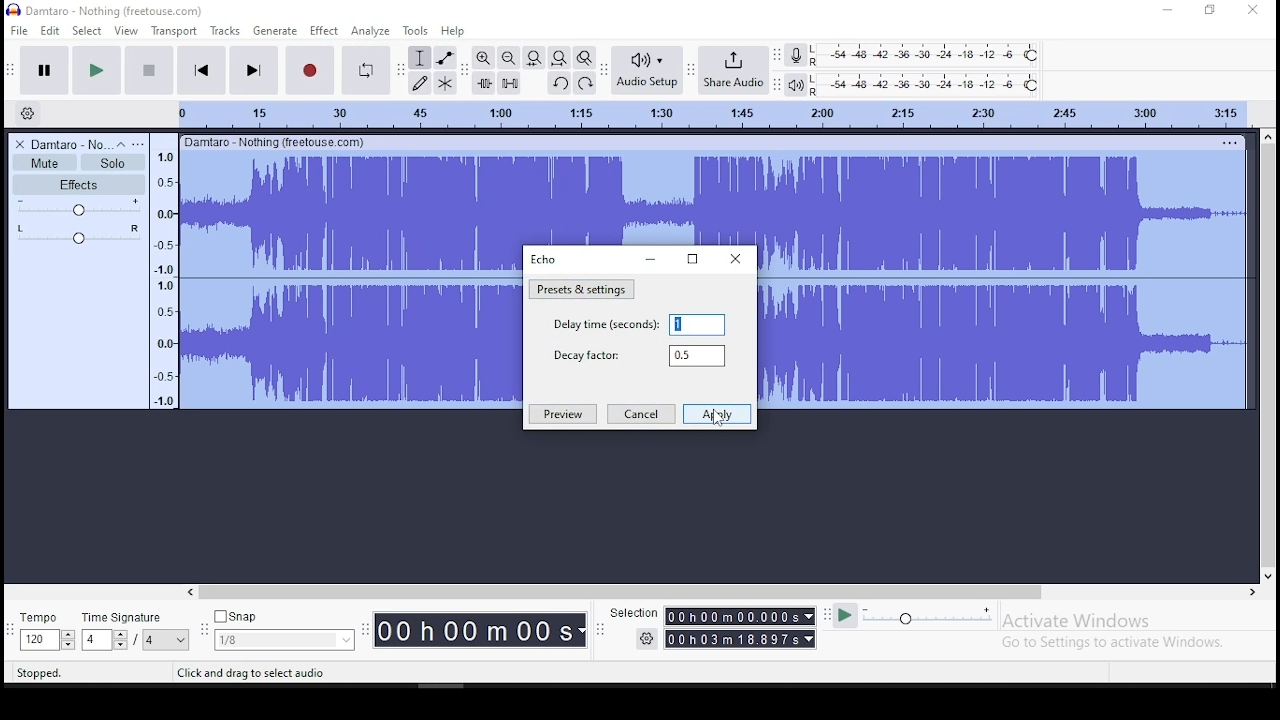  What do you see at coordinates (45, 162) in the screenshot?
I see `mute` at bounding box center [45, 162].